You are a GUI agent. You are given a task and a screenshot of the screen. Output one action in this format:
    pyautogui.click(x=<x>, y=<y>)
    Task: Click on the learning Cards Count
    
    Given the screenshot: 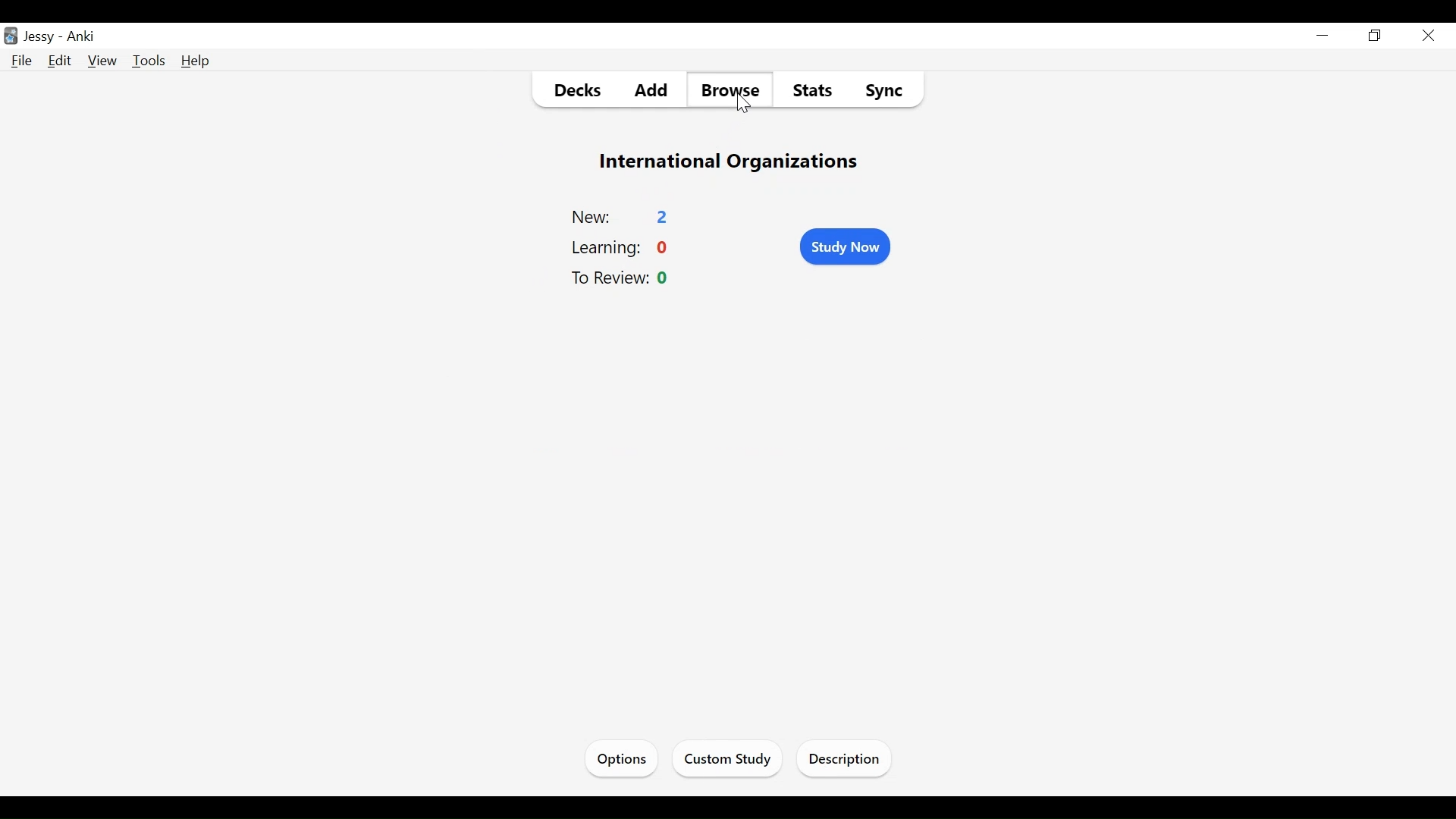 What is the action you would take?
    pyautogui.click(x=623, y=249)
    